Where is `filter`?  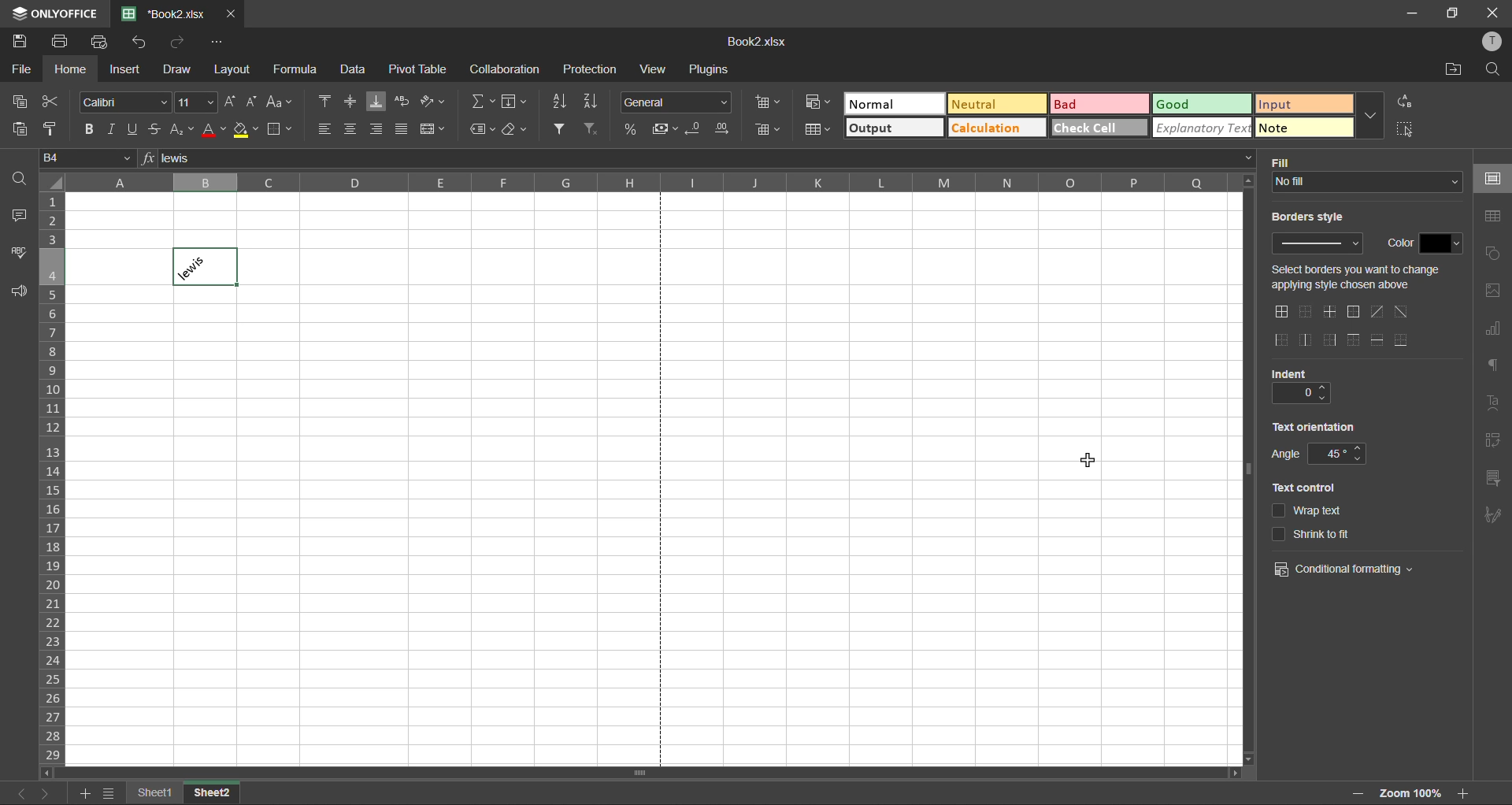
filter is located at coordinates (560, 129).